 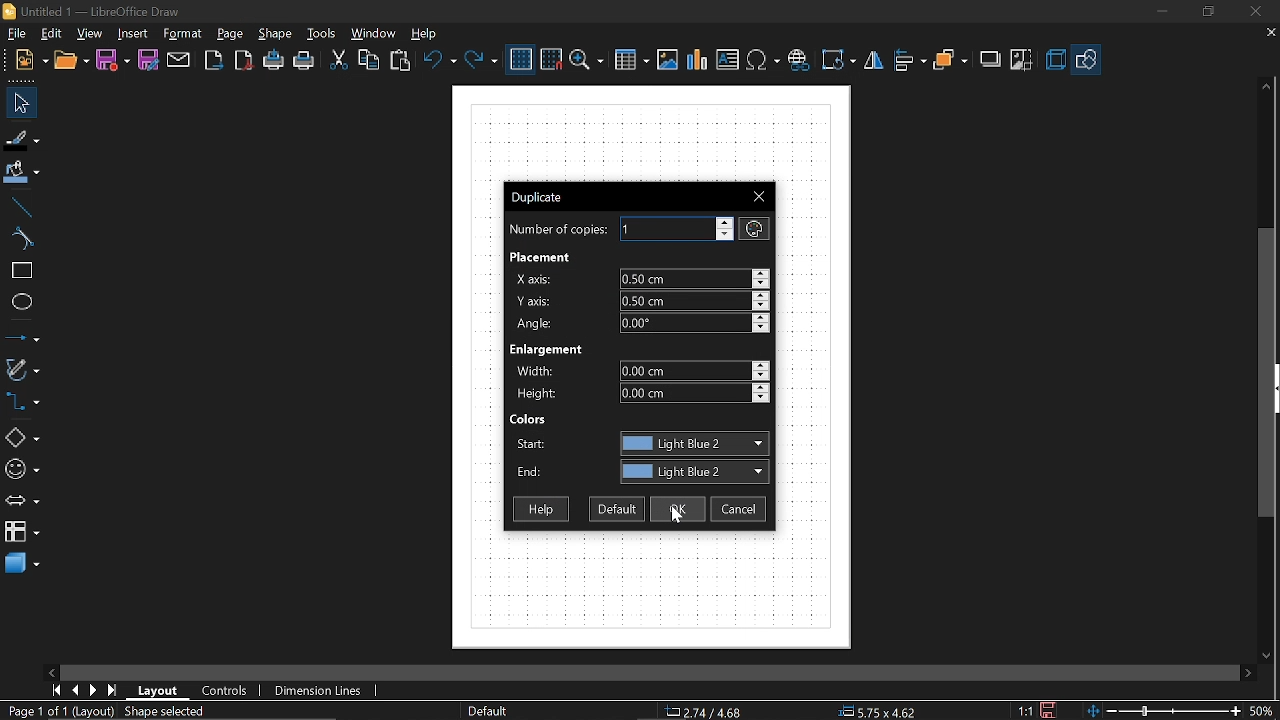 I want to click on X axis, so click(x=535, y=279).